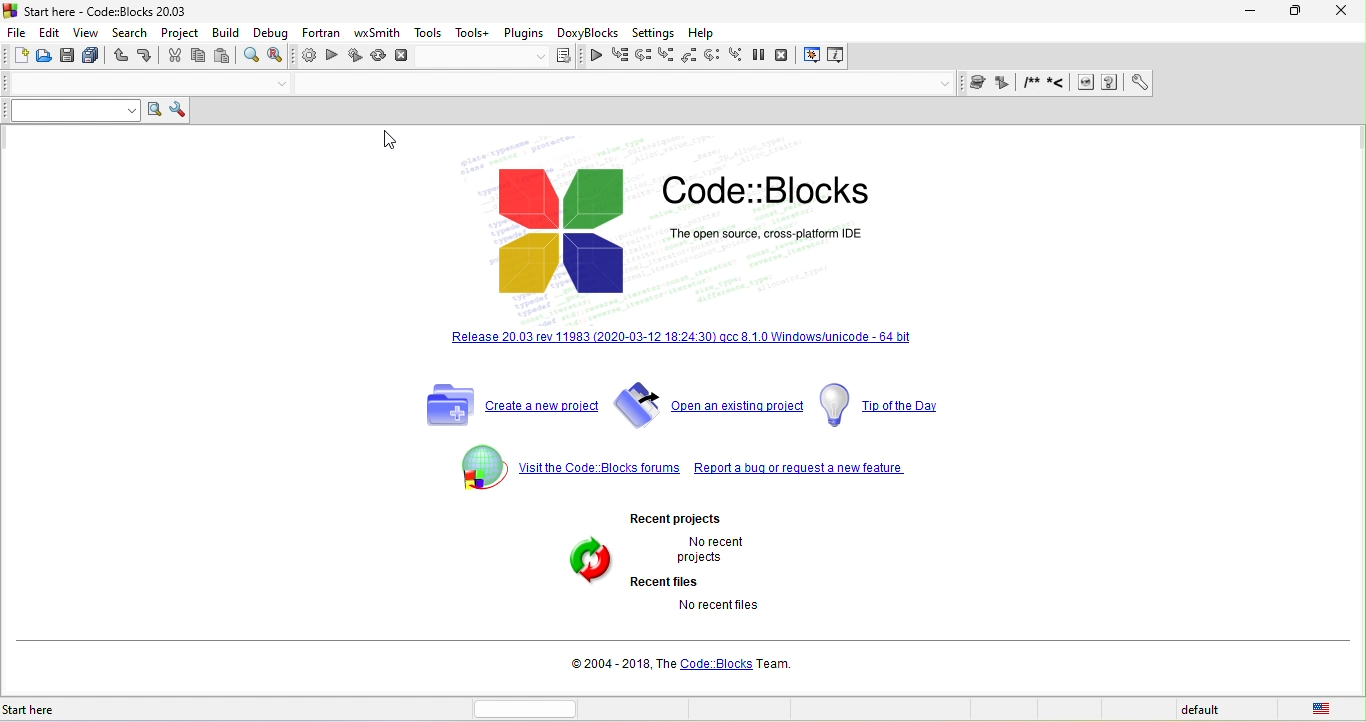 Image resolution: width=1366 pixels, height=722 pixels. What do you see at coordinates (1294, 83) in the screenshot?
I see `open preference` at bounding box center [1294, 83].